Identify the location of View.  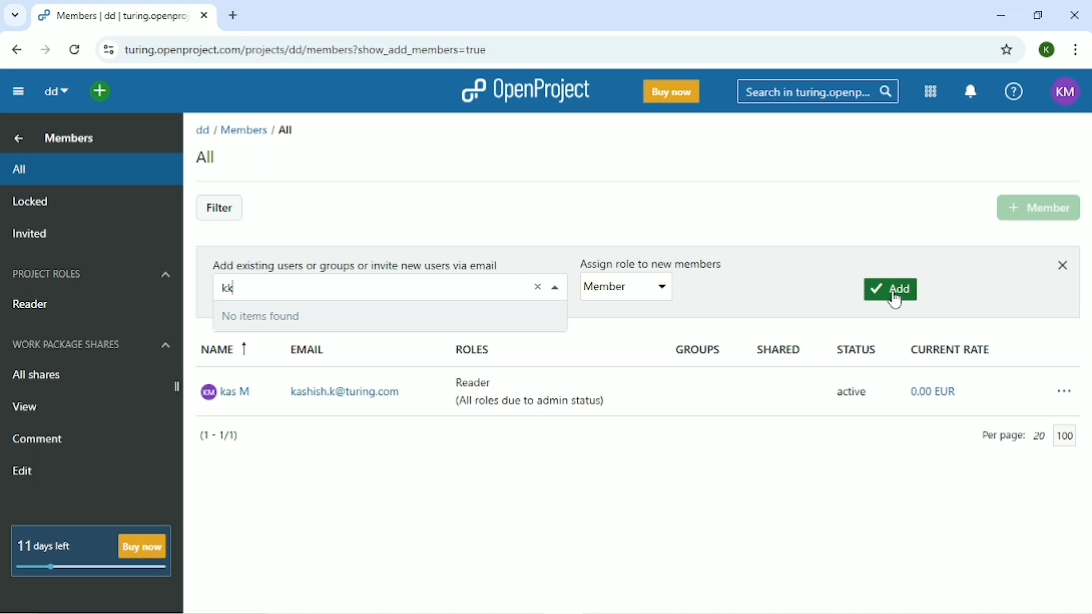
(28, 407).